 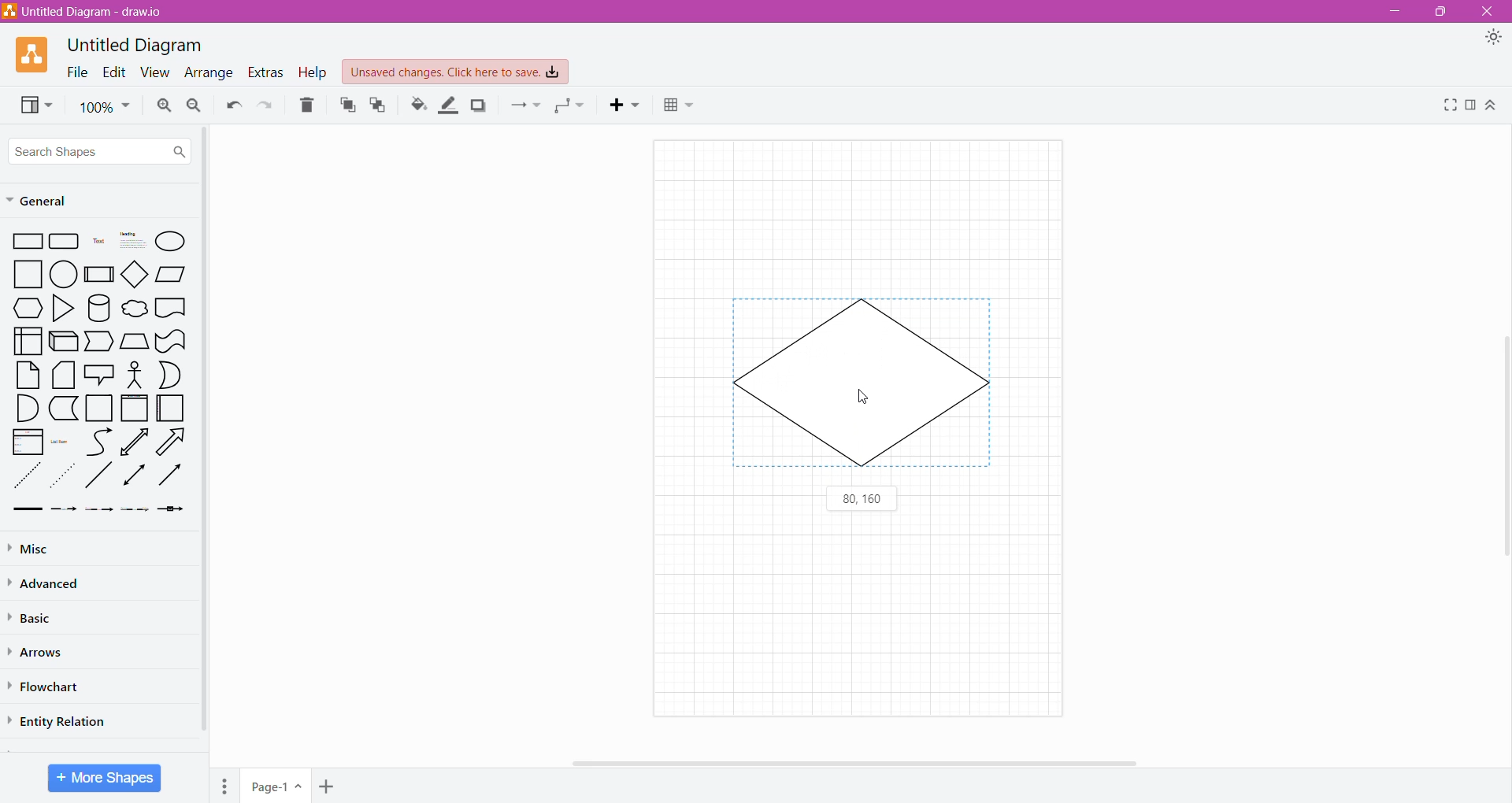 What do you see at coordinates (61, 376) in the screenshot?
I see `Card` at bounding box center [61, 376].